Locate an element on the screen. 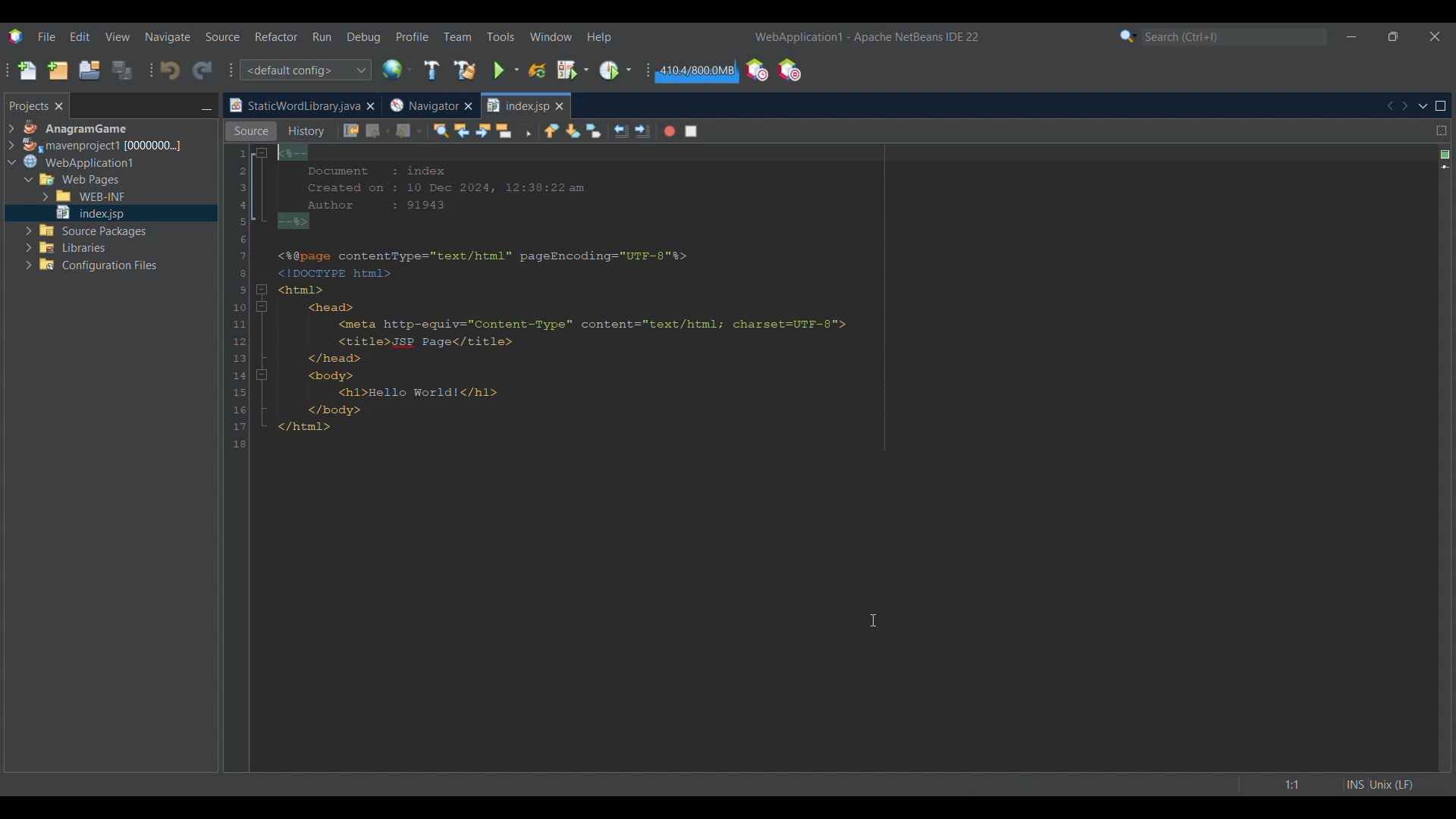  Undo is located at coordinates (170, 71).